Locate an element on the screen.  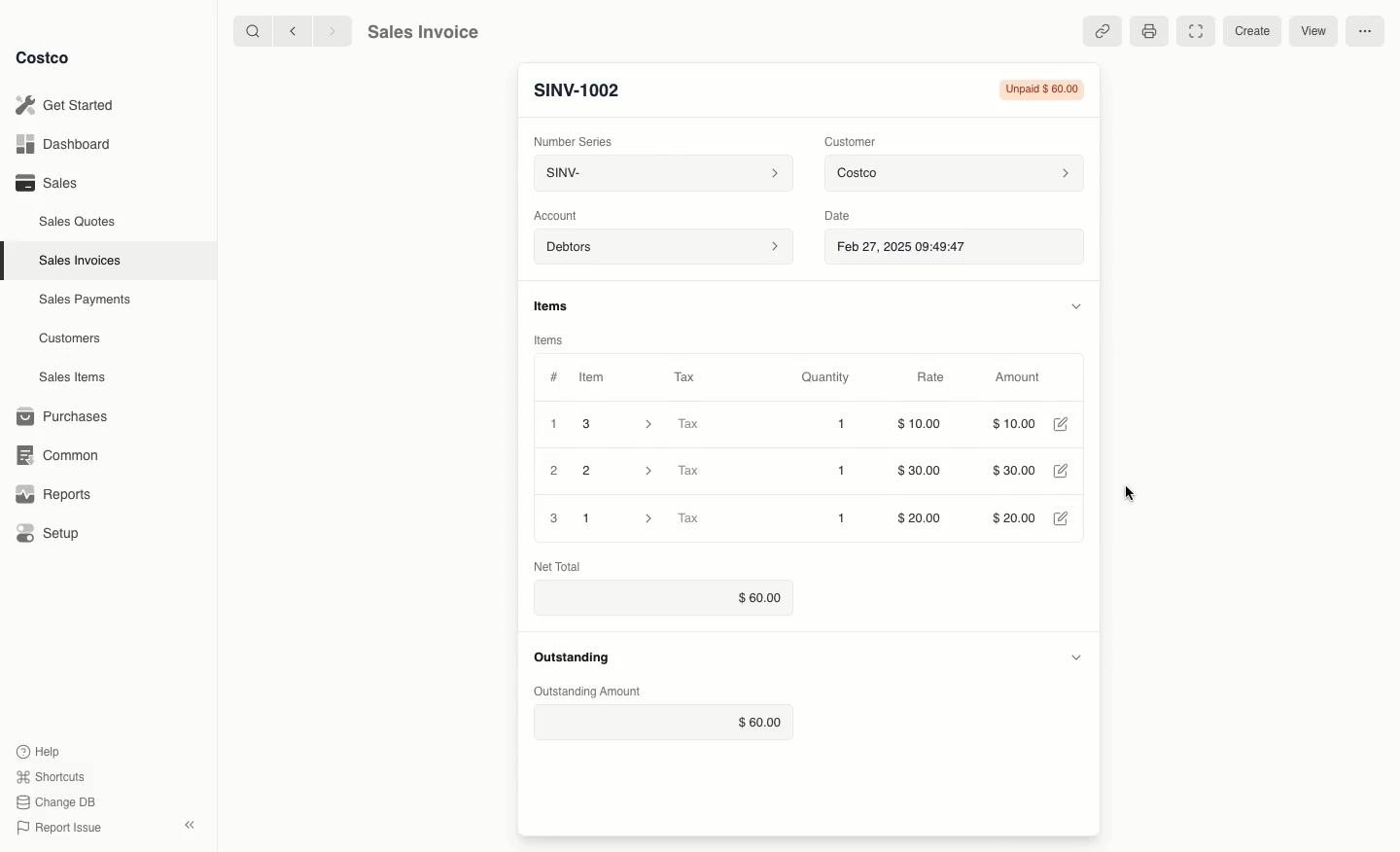
$60.00 is located at coordinates (663, 596).